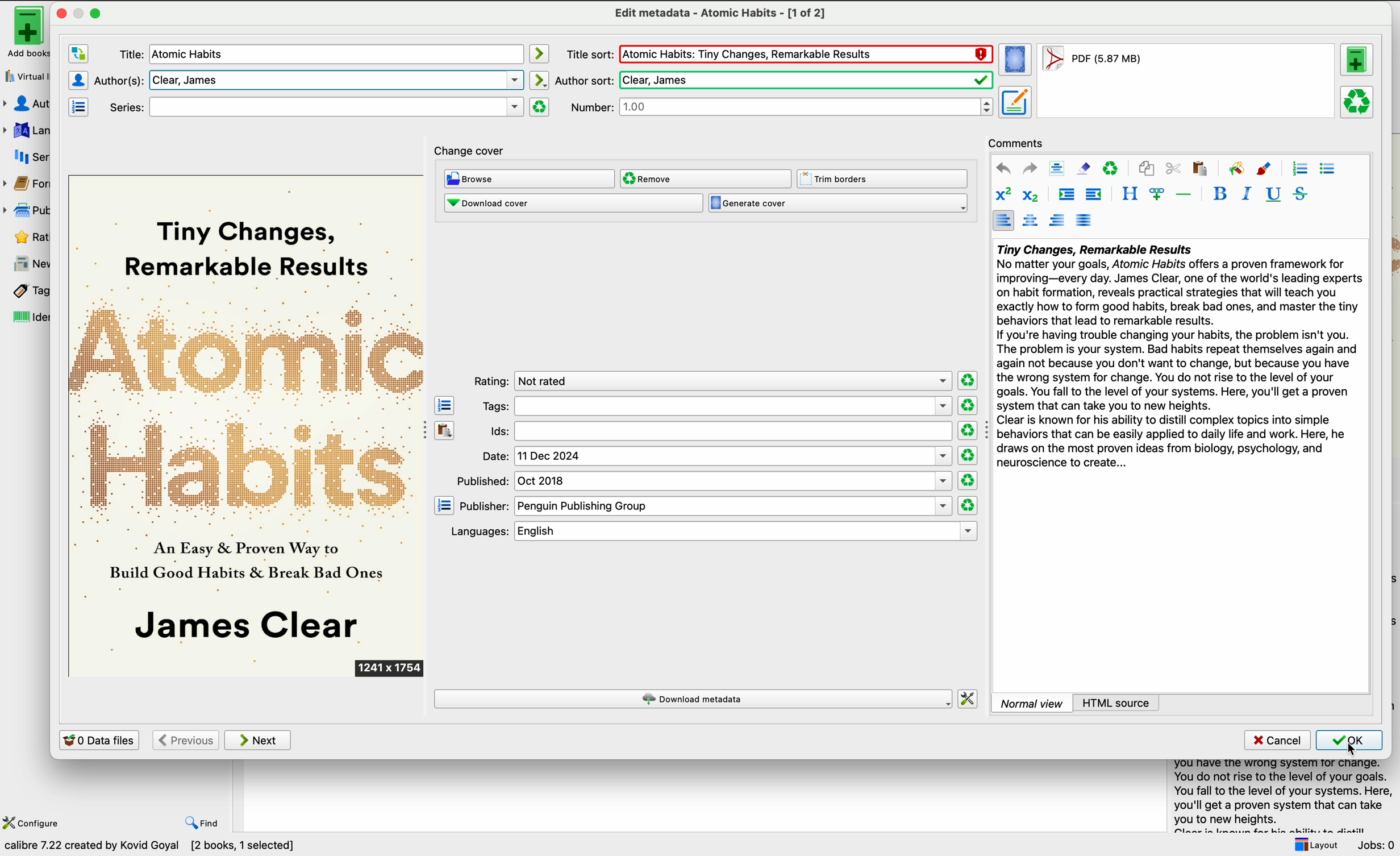 The width and height of the screenshot is (1400, 856). I want to click on click on OK button, so click(1349, 742).